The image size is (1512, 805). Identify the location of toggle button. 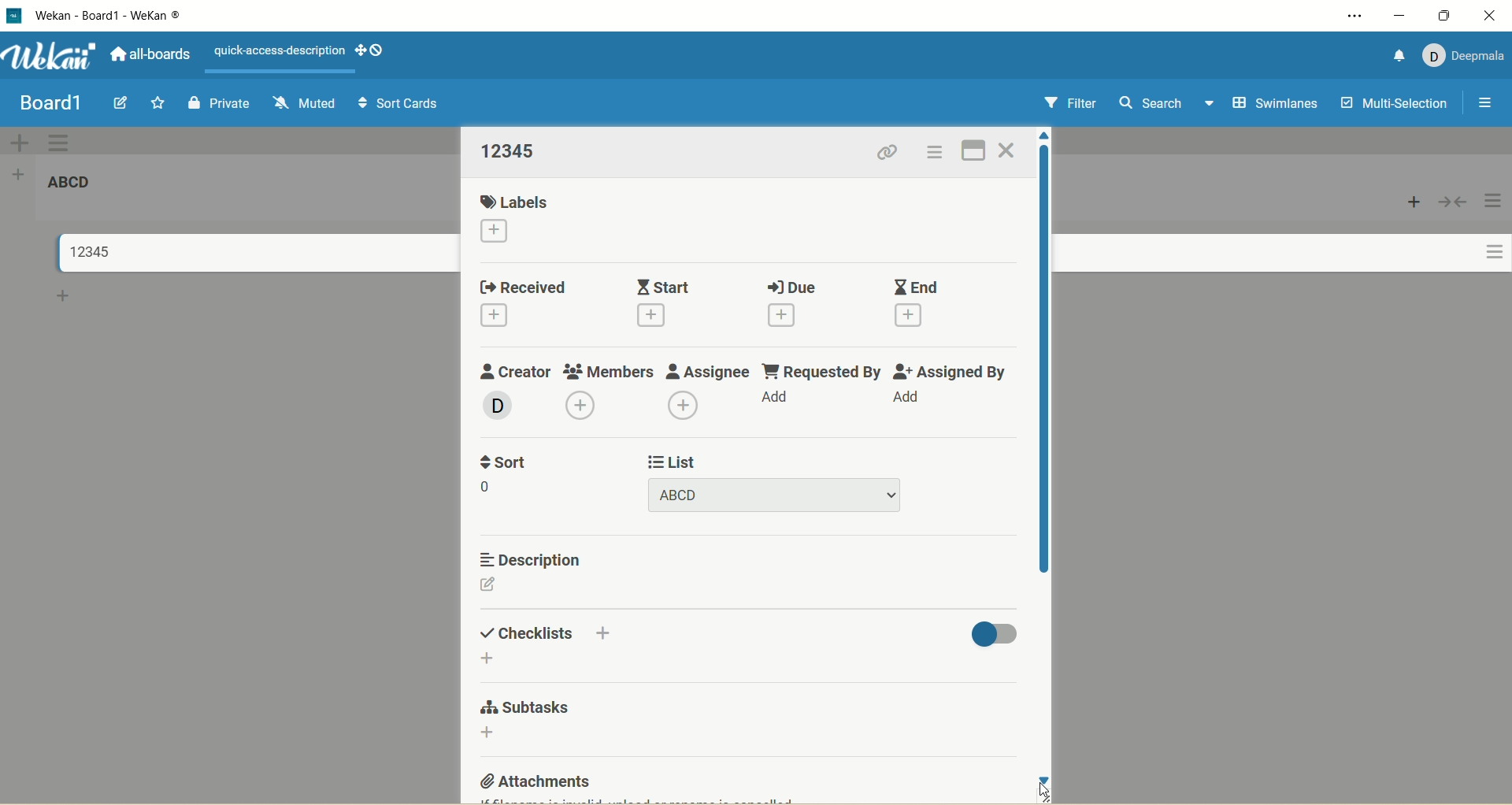
(993, 632).